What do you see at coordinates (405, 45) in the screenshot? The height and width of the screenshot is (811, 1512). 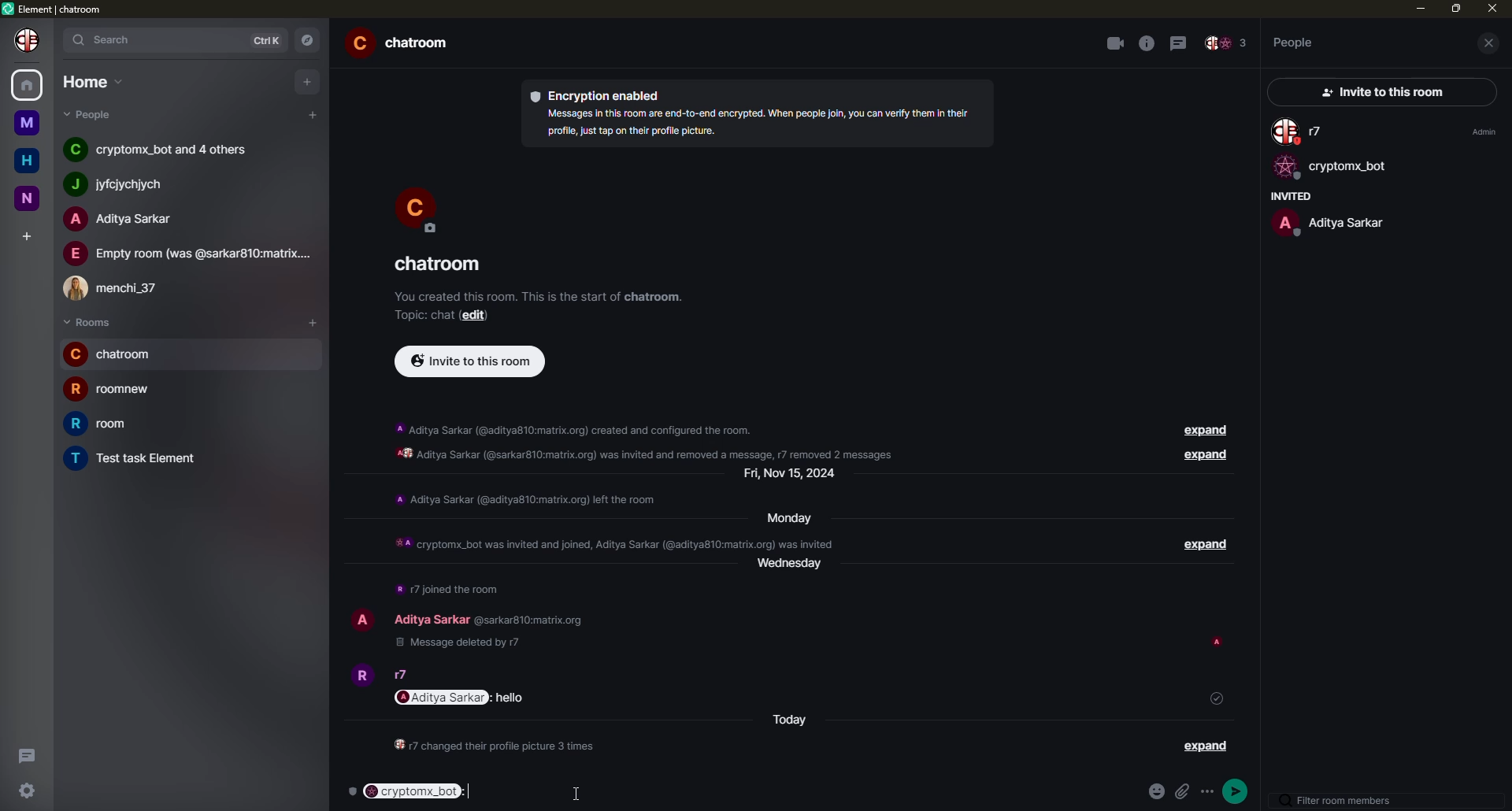 I see `room` at bounding box center [405, 45].